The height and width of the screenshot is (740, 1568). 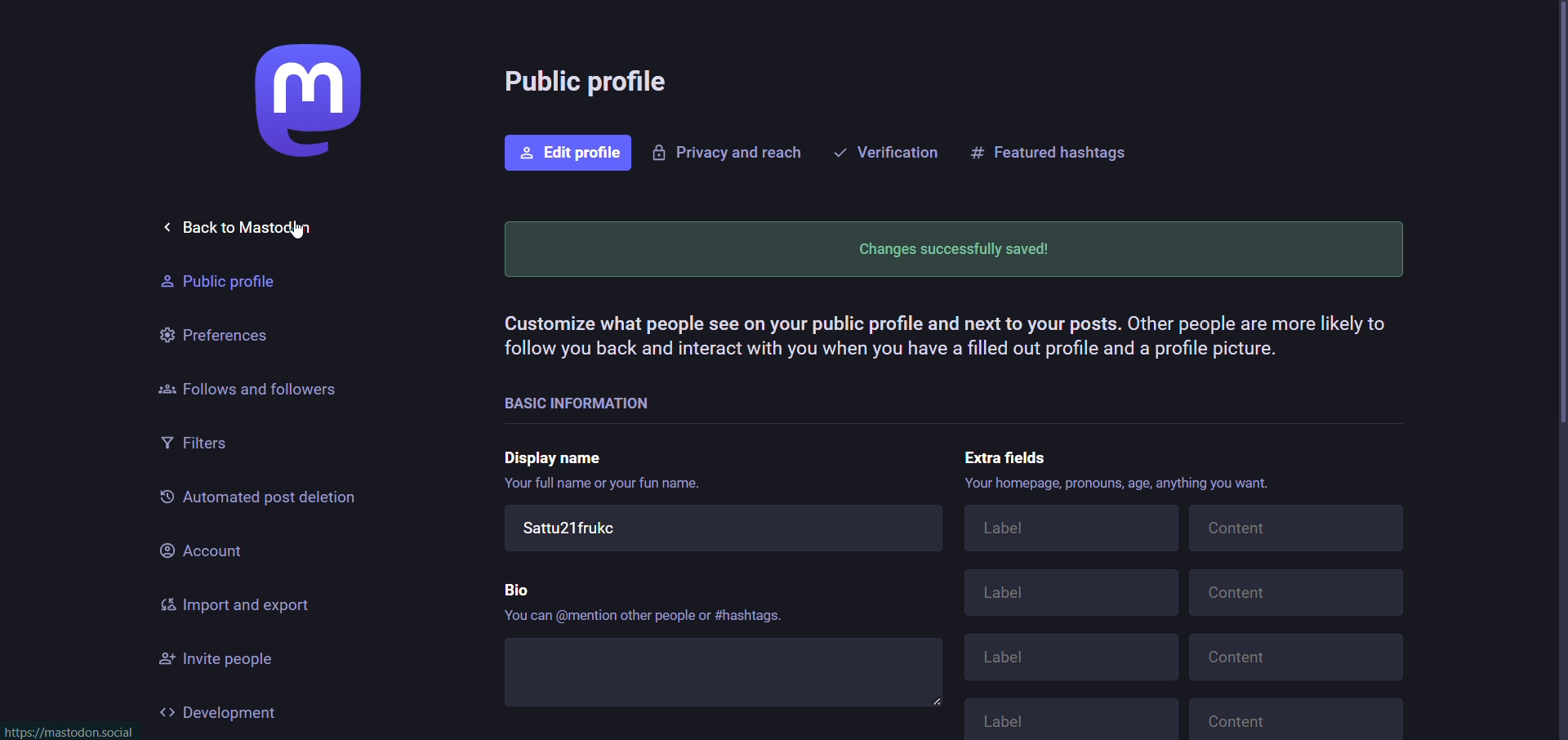 What do you see at coordinates (1121, 484) in the screenshot?
I see `Your homepage, pronouns, age, anything you want.` at bounding box center [1121, 484].